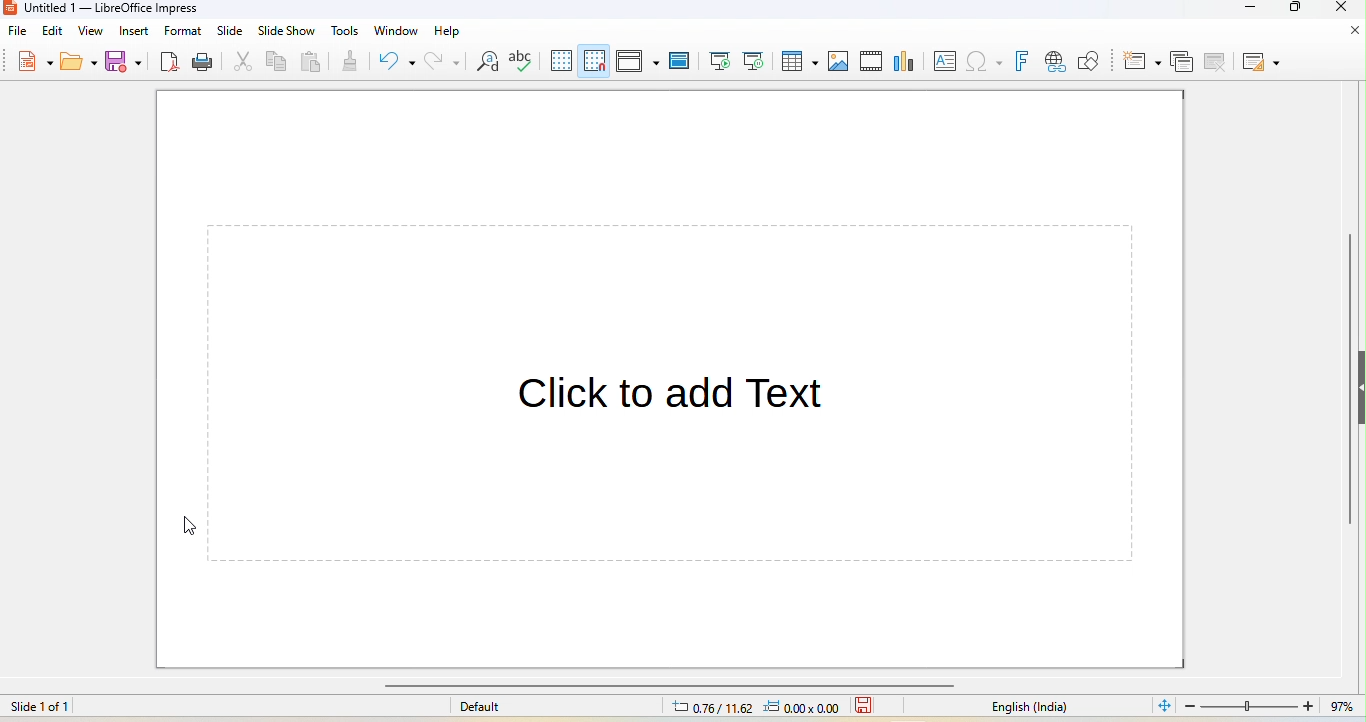 Image resolution: width=1366 pixels, height=722 pixels. What do you see at coordinates (1298, 10) in the screenshot?
I see `maximize` at bounding box center [1298, 10].